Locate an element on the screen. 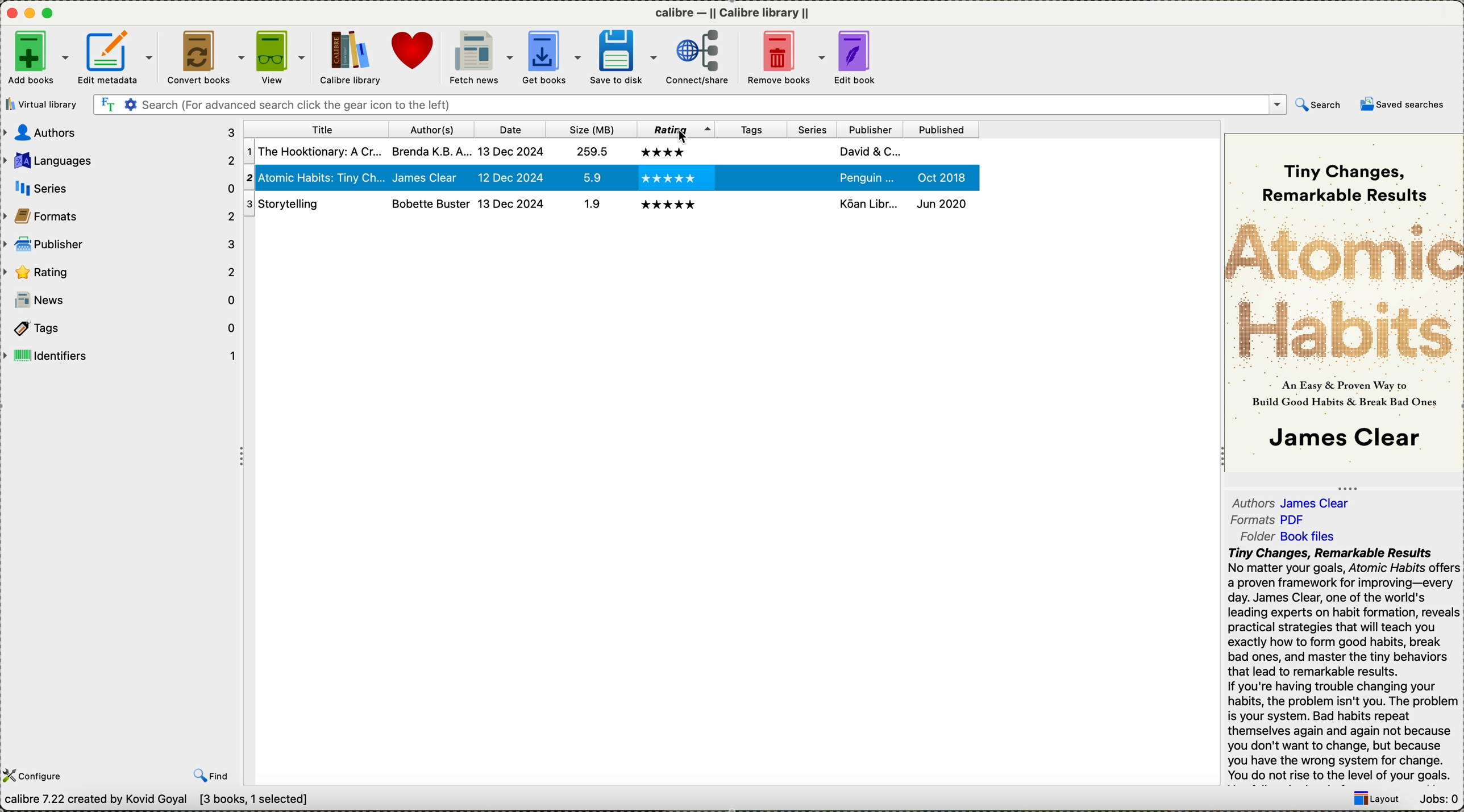 The width and height of the screenshot is (1464, 812). series is located at coordinates (813, 175).